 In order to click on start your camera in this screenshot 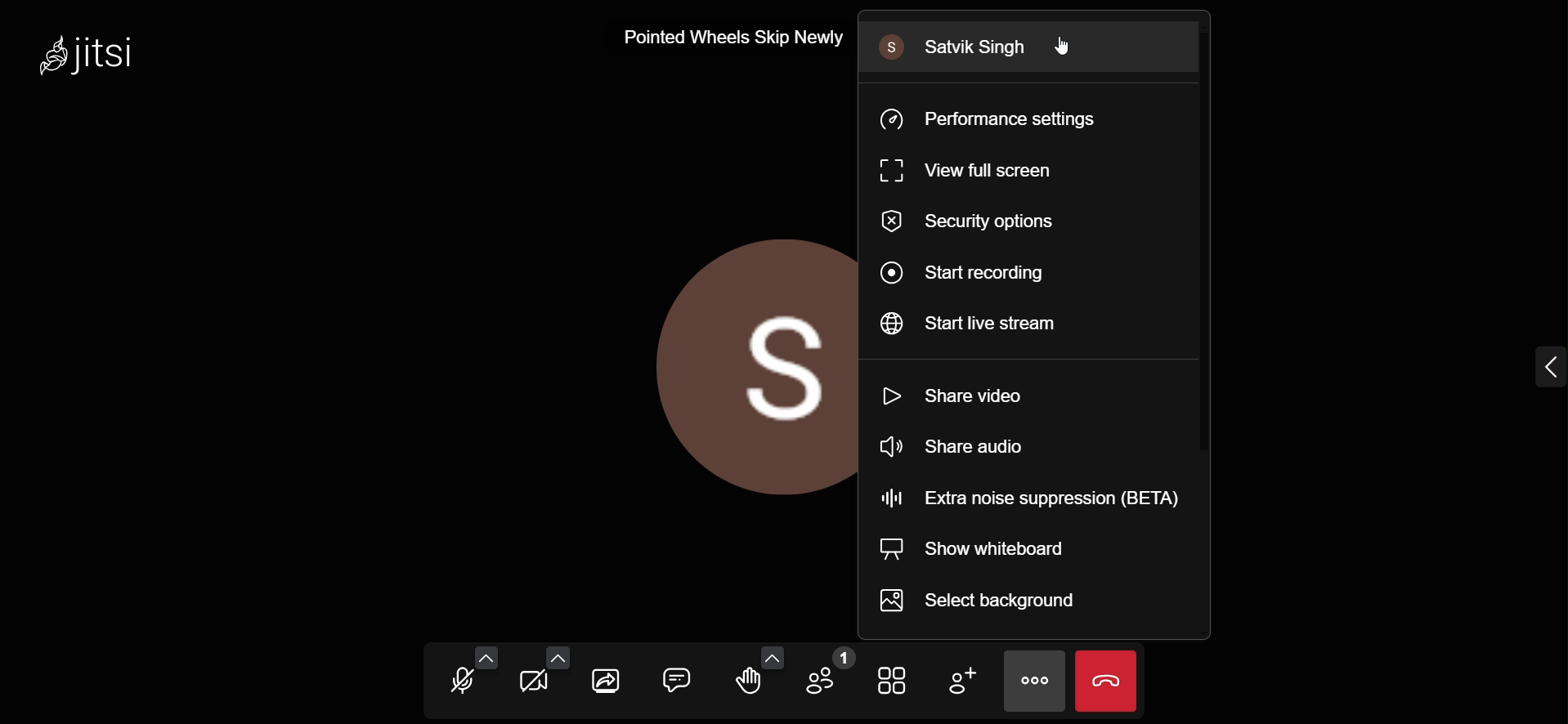, I will do `click(531, 682)`.